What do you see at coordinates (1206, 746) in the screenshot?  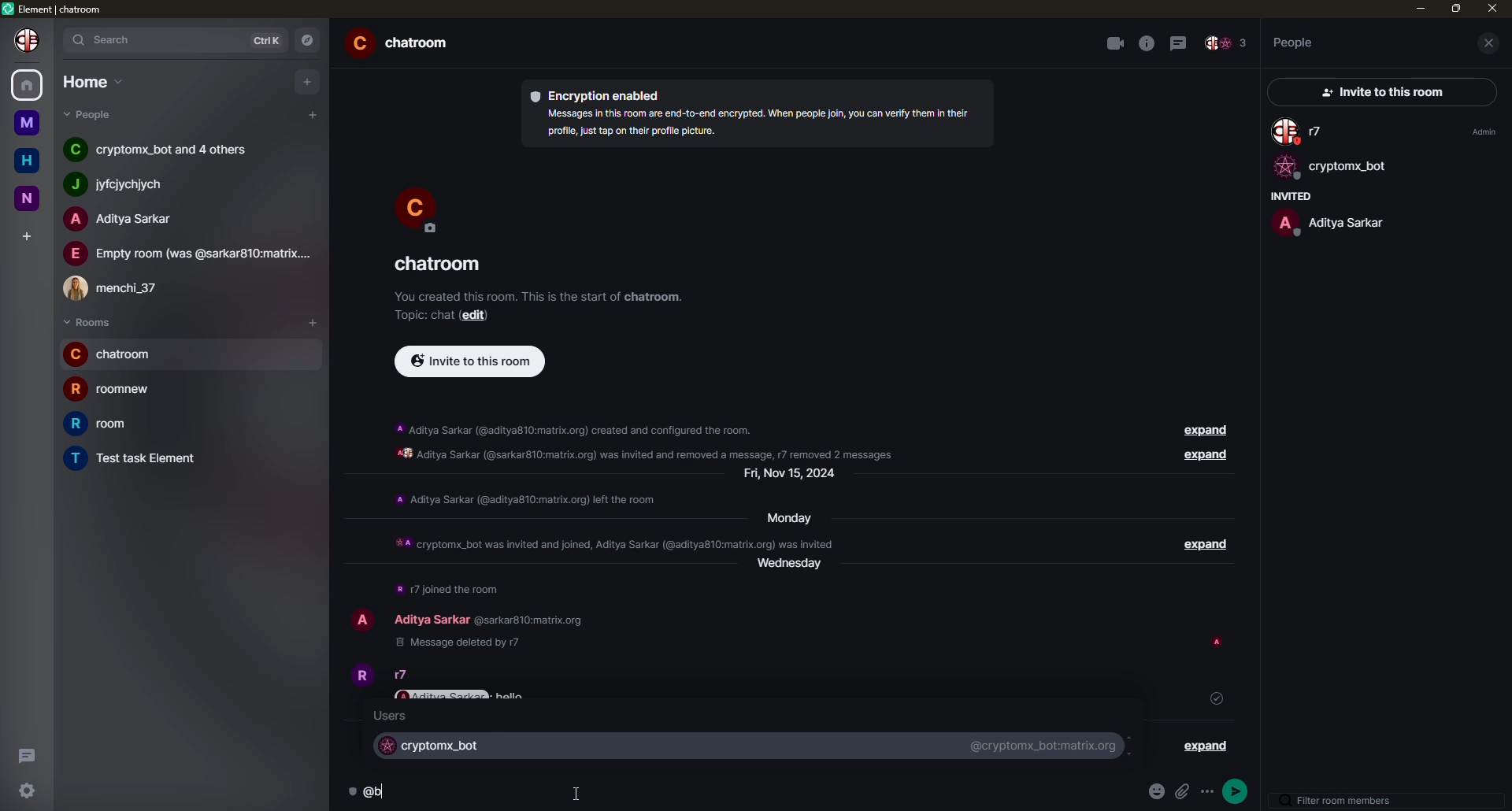 I see `expand` at bounding box center [1206, 746].